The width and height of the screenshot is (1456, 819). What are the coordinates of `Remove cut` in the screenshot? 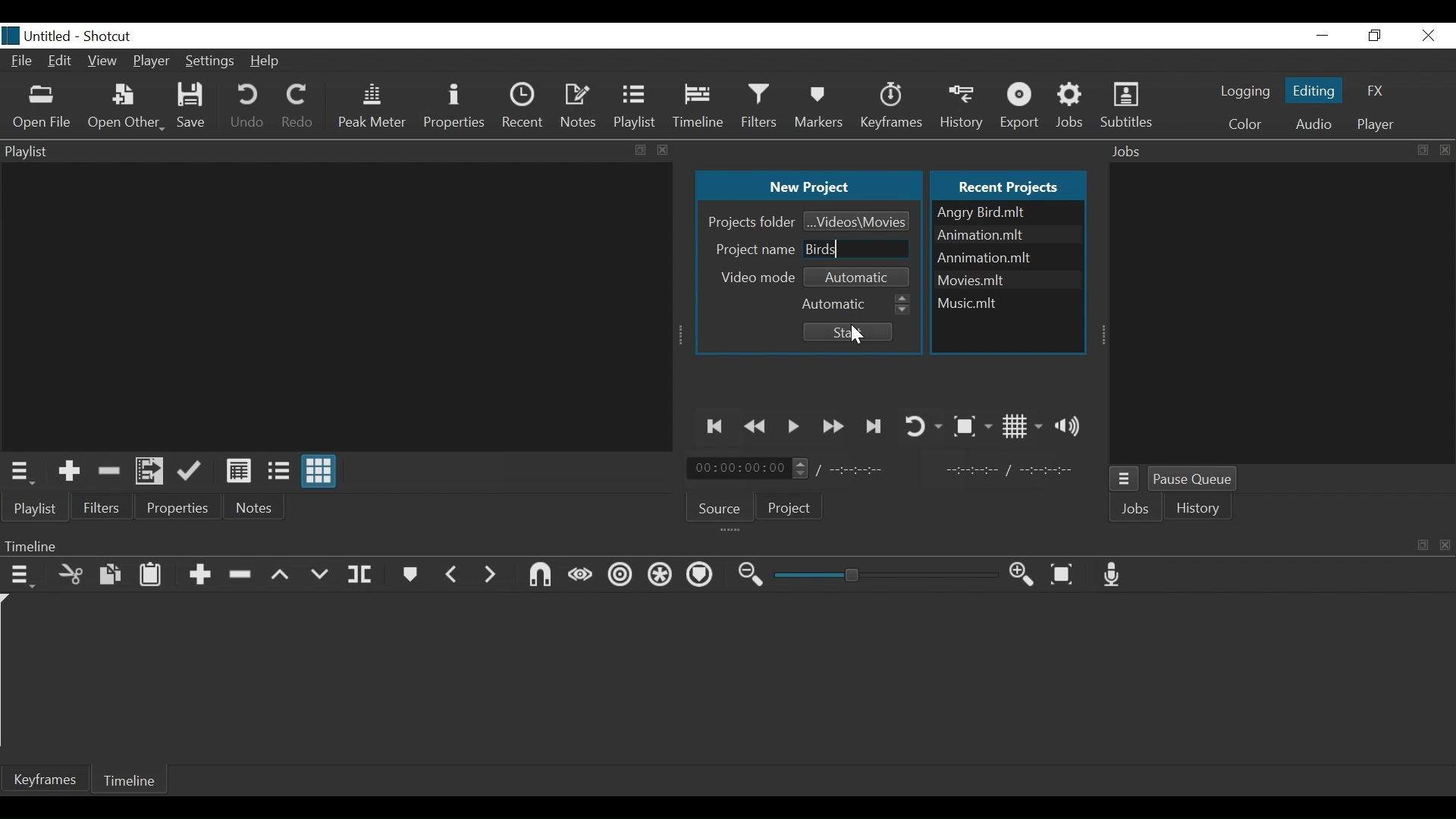 It's located at (108, 470).